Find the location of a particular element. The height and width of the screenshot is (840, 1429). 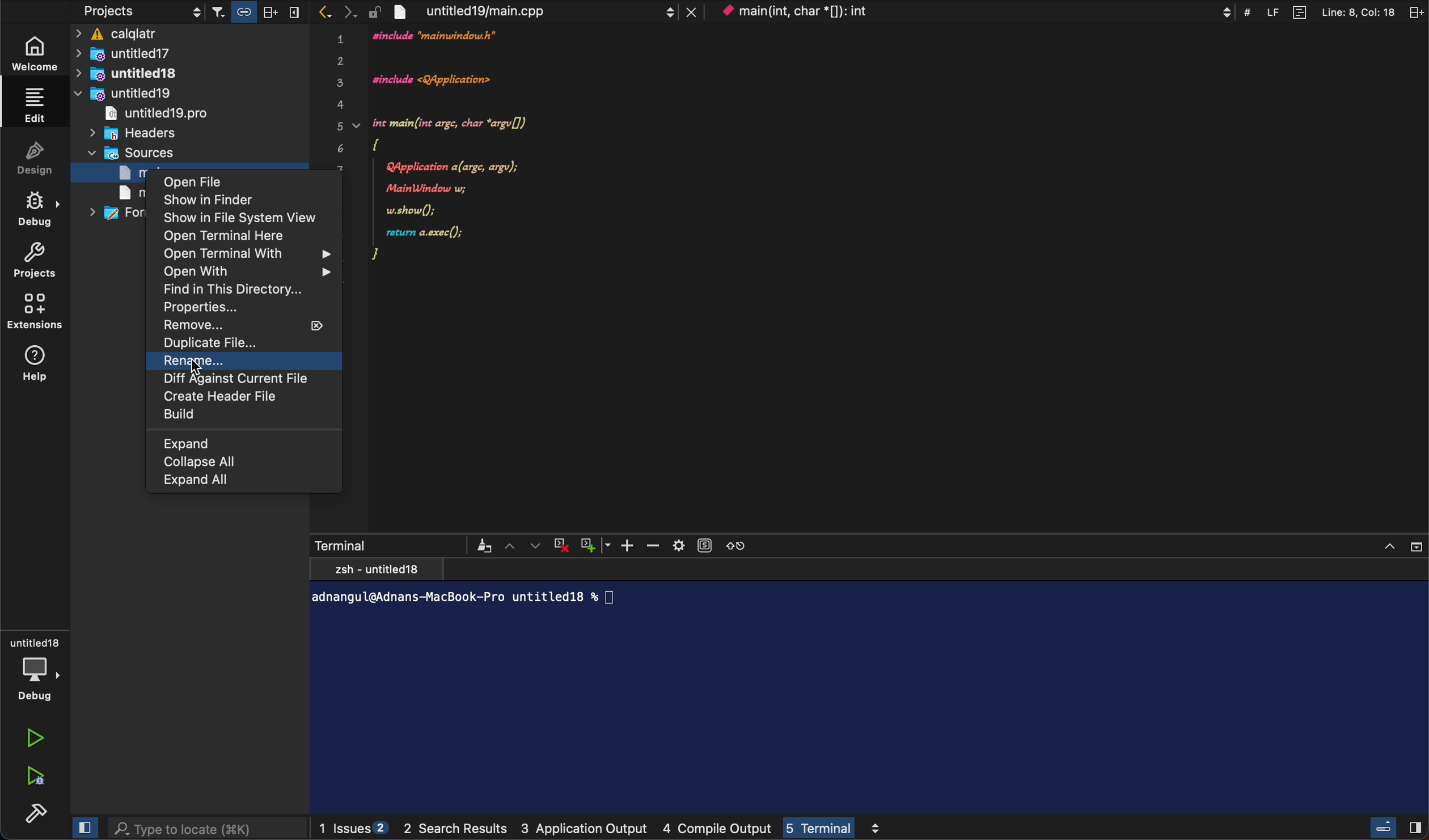

Design is located at coordinates (44, 162).